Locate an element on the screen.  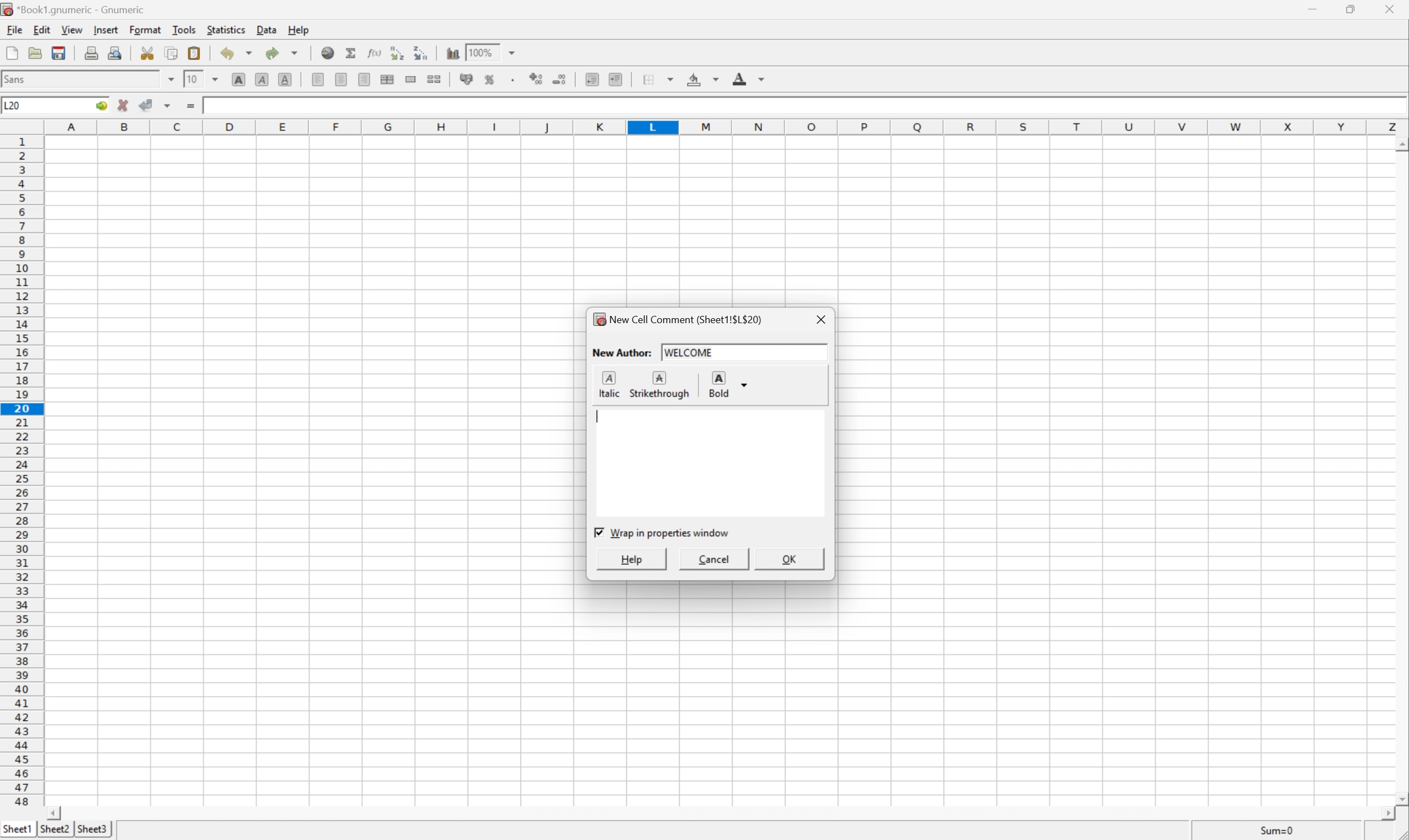
Sheet2 is located at coordinates (90, 830).